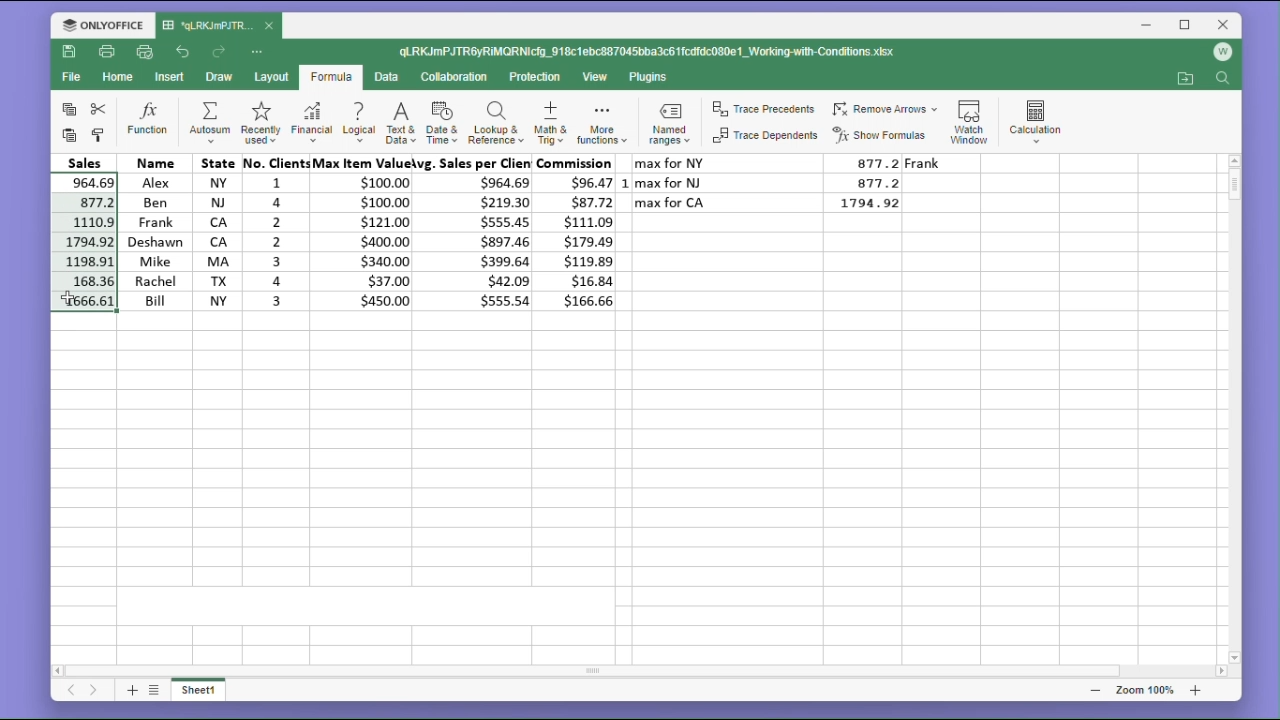 This screenshot has height=720, width=1280. What do you see at coordinates (807, 163) in the screenshot?
I see `max for NY 877.2 Frank` at bounding box center [807, 163].